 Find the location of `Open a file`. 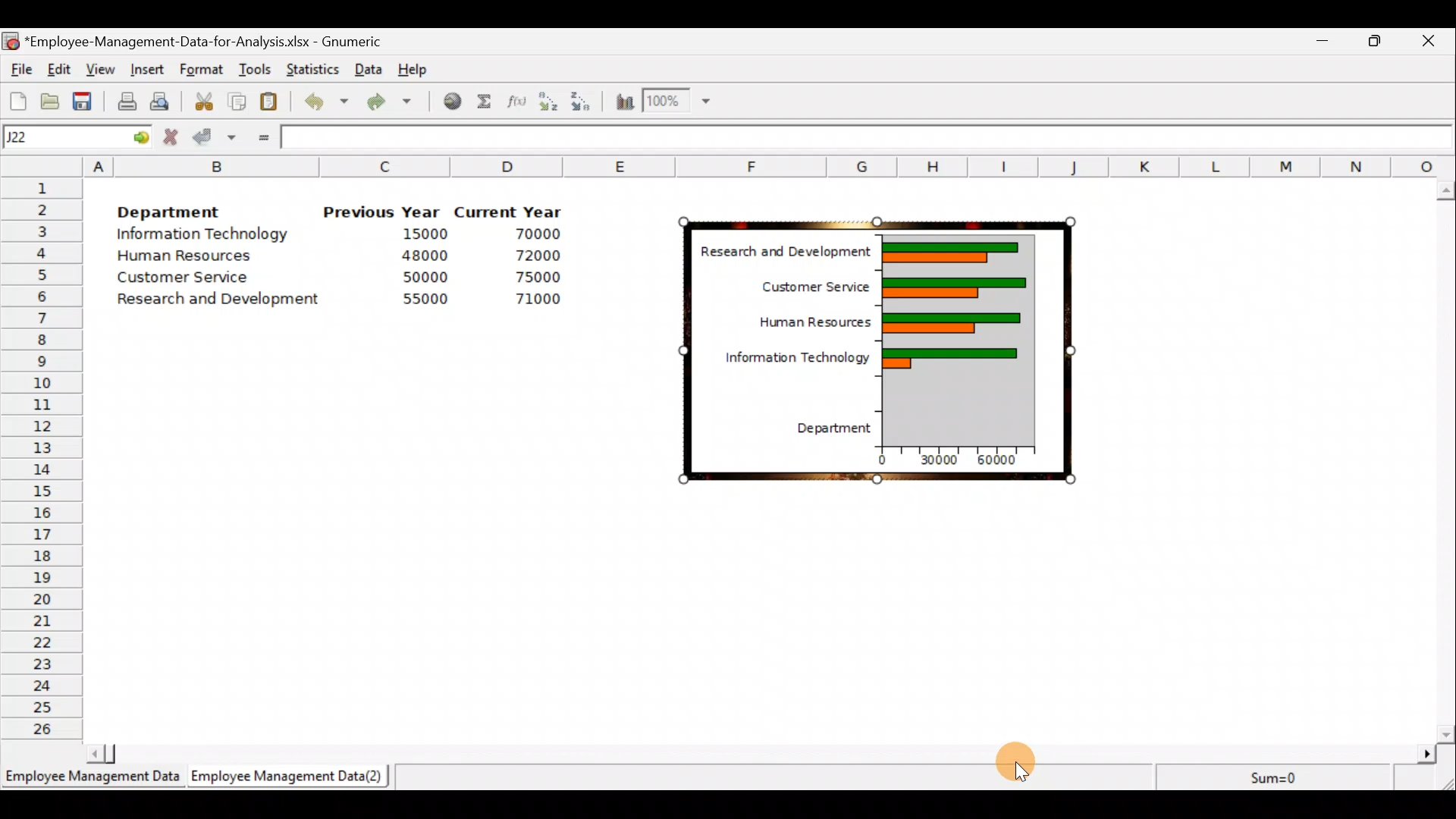

Open a file is located at coordinates (49, 99).